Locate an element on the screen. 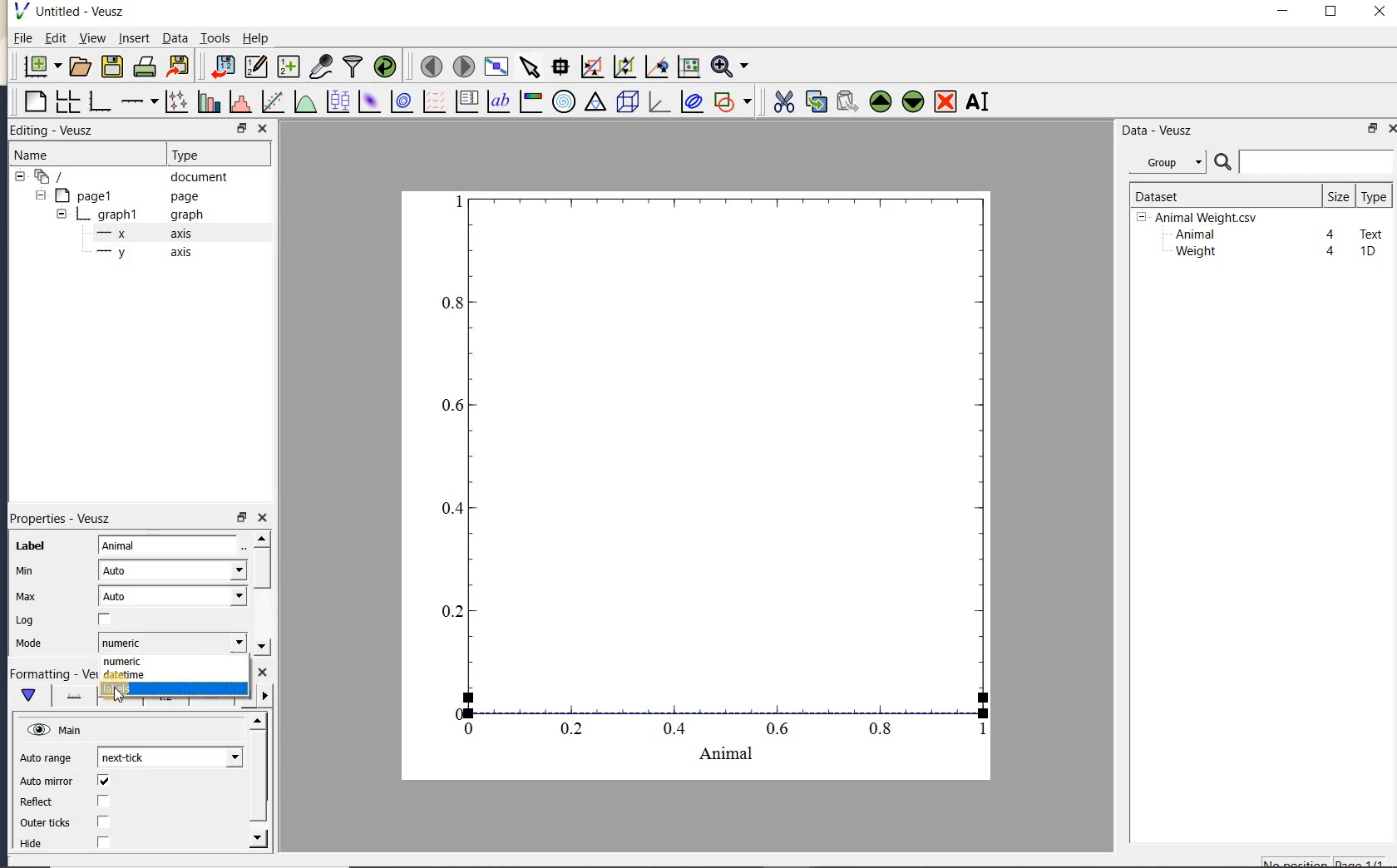 This screenshot has height=868, width=1397. Log is located at coordinates (25, 620).